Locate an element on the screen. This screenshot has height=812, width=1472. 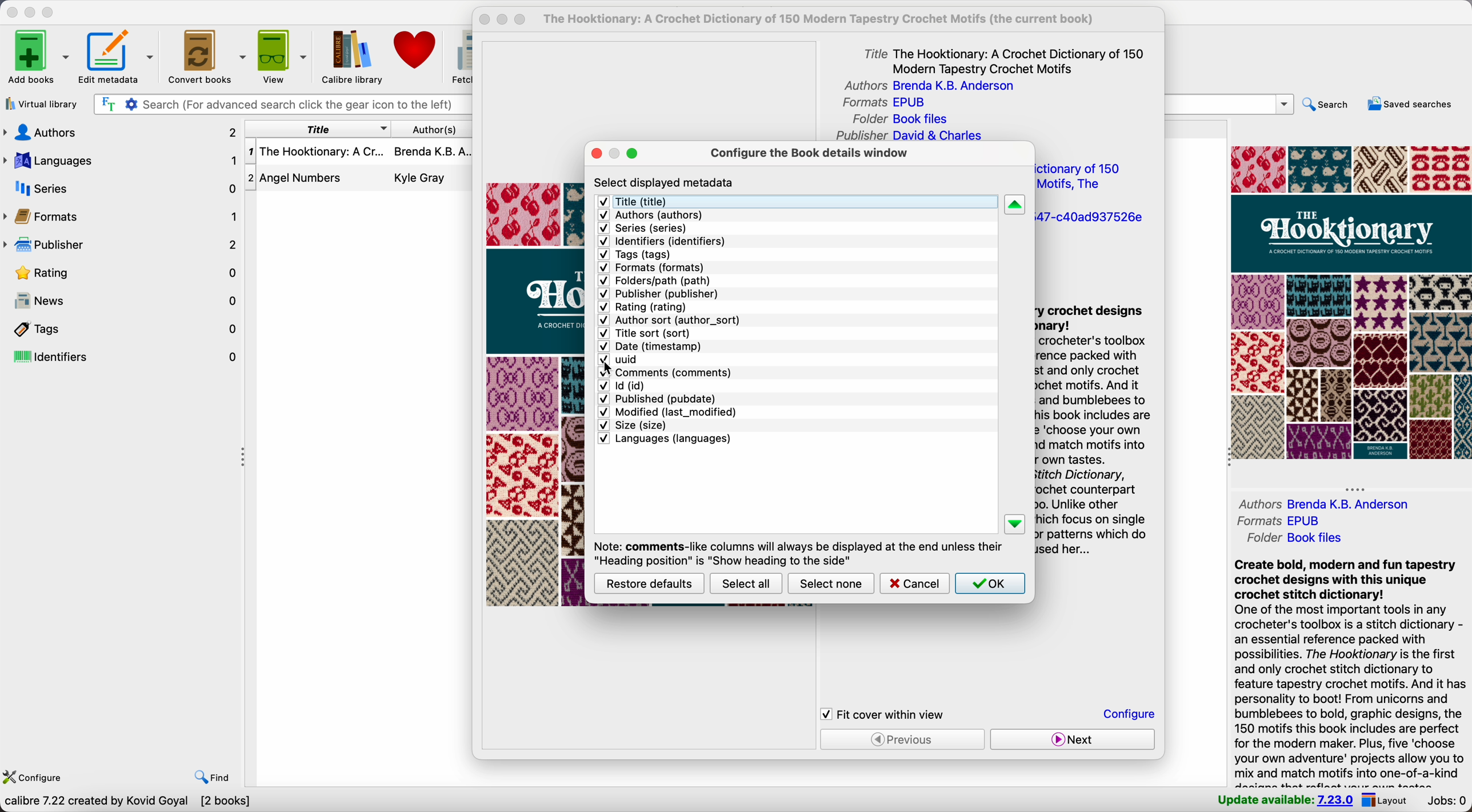
comments is located at coordinates (665, 374).